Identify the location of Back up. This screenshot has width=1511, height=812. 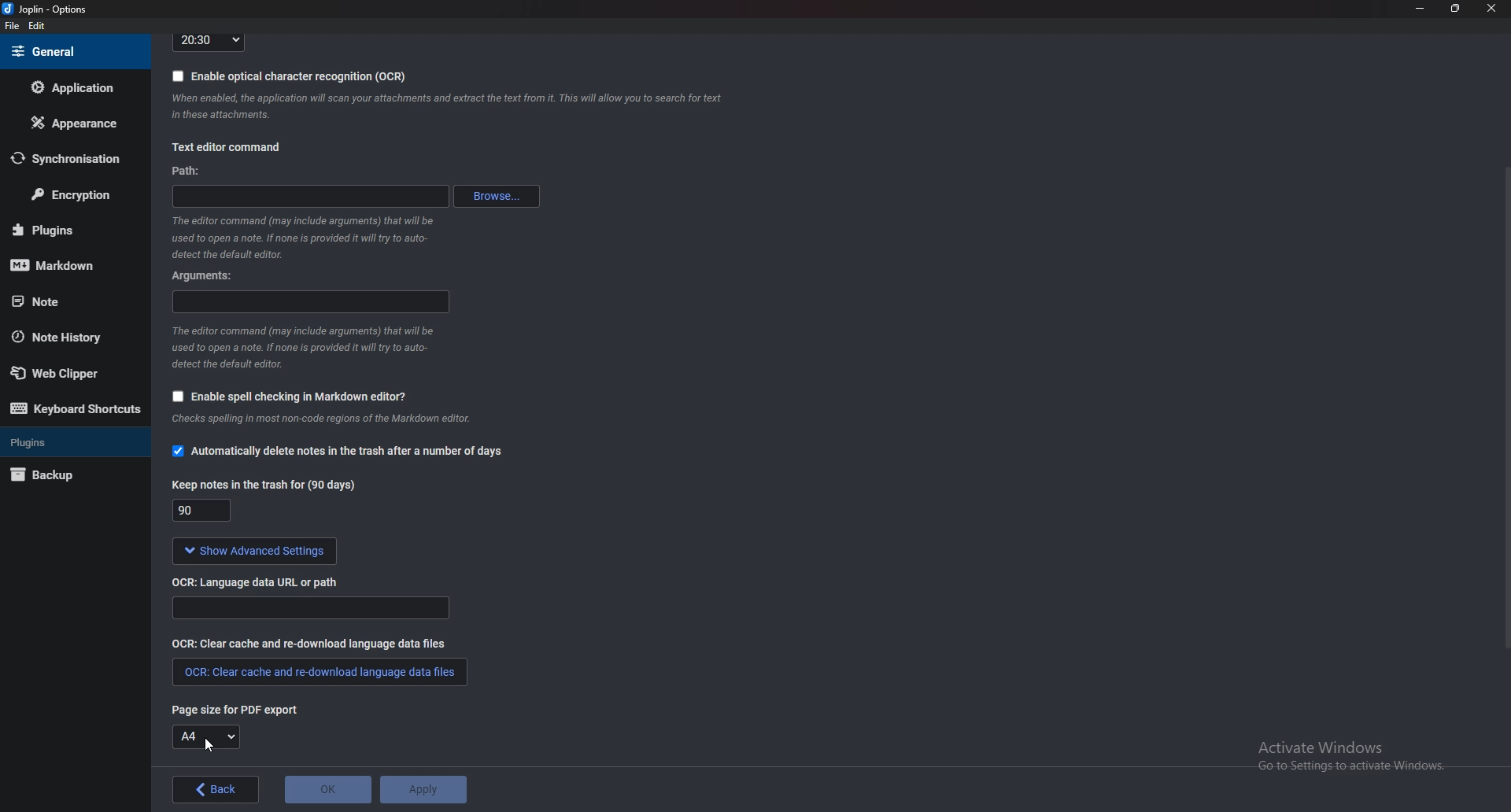
(66, 477).